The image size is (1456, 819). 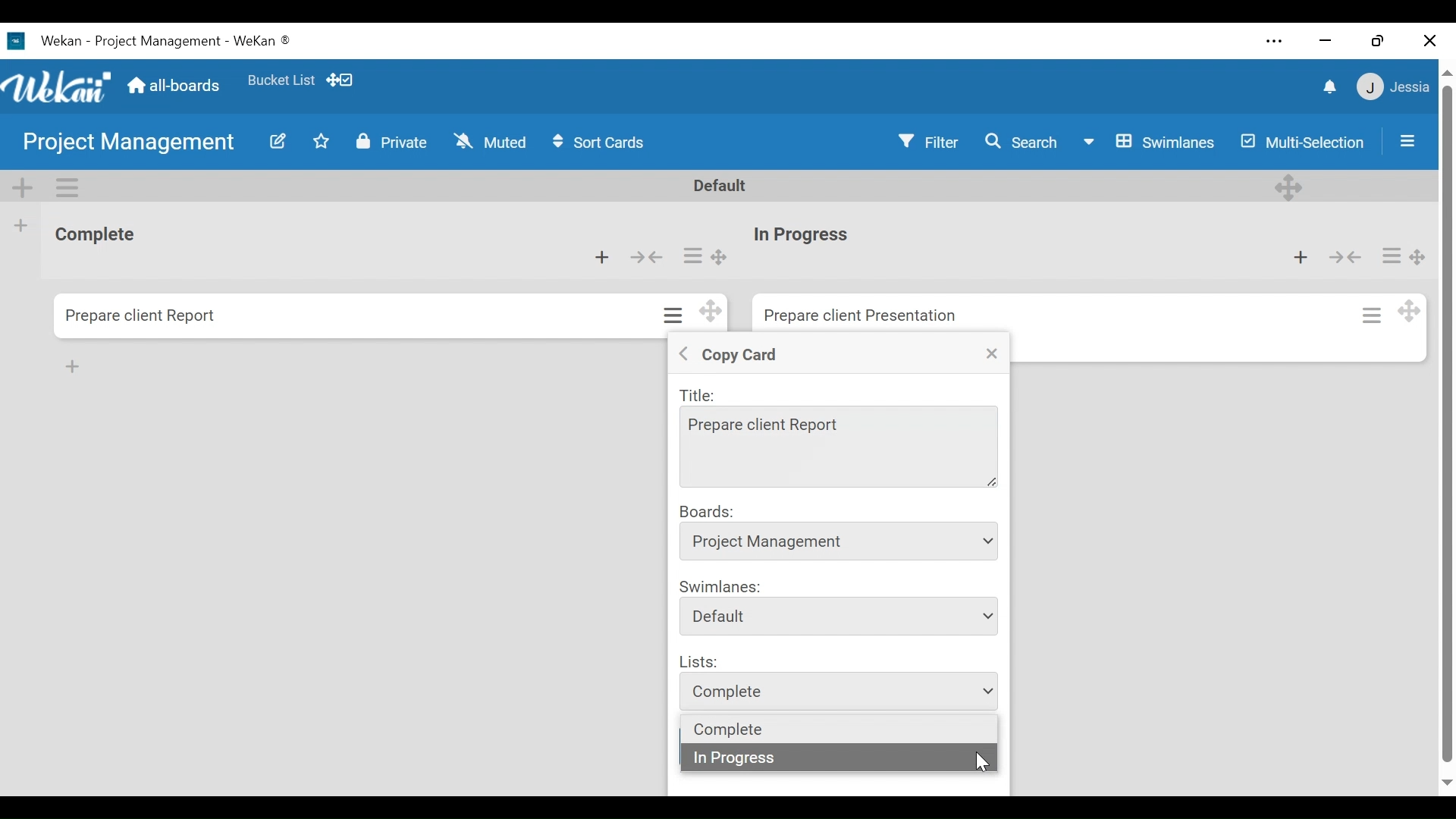 What do you see at coordinates (695, 253) in the screenshot?
I see `Card actions` at bounding box center [695, 253].